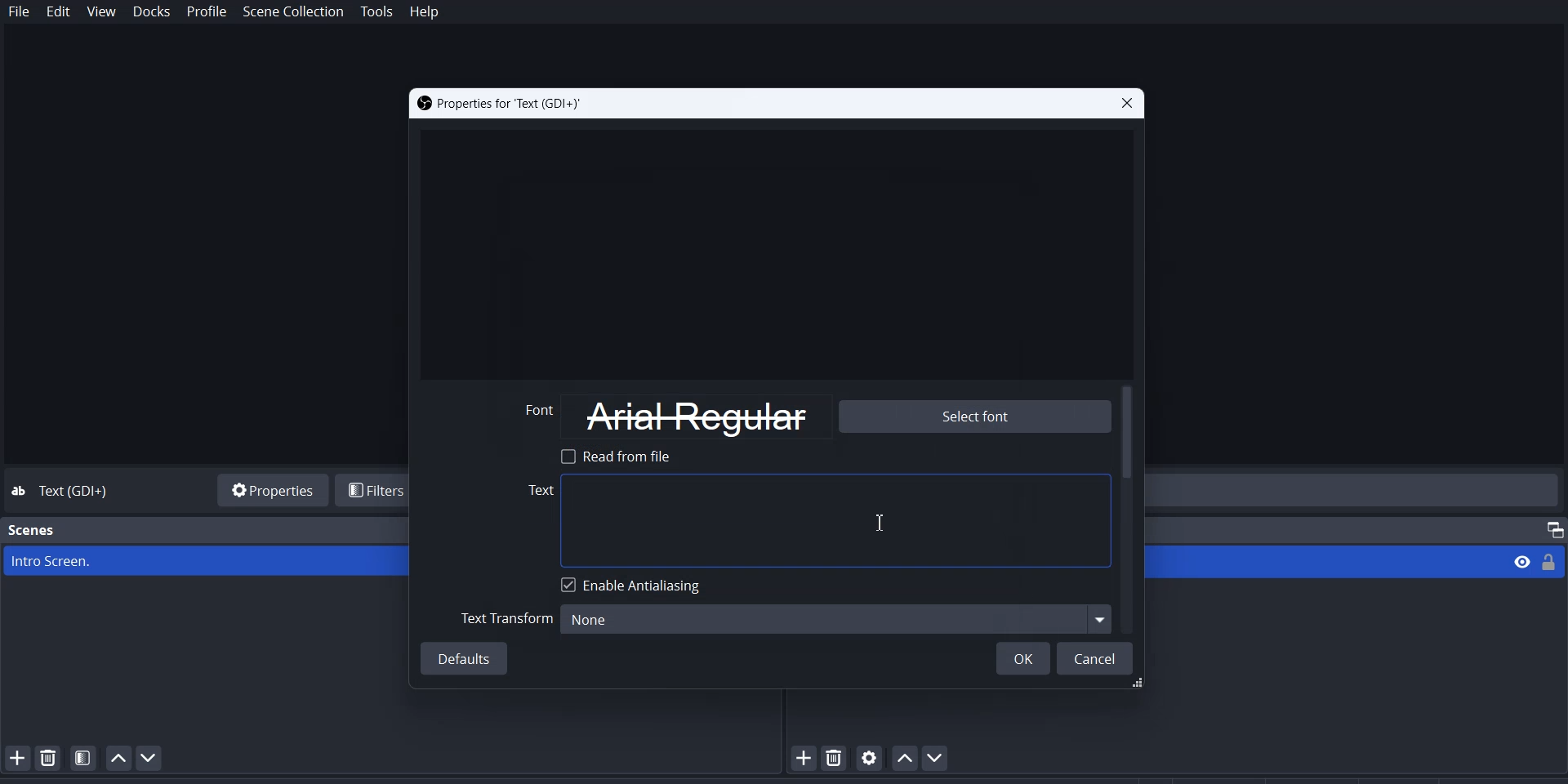  Describe the element at coordinates (666, 416) in the screenshot. I see `Font Preview` at that location.